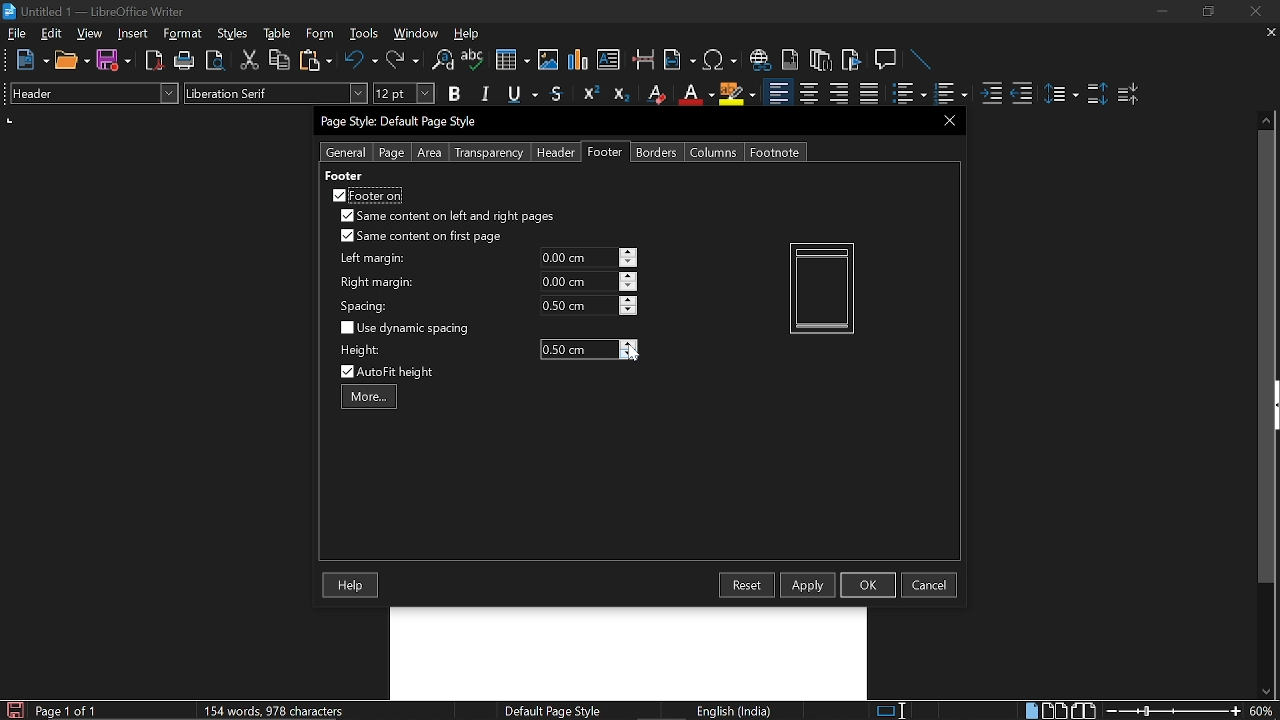  I want to click on Form, so click(321, 34).